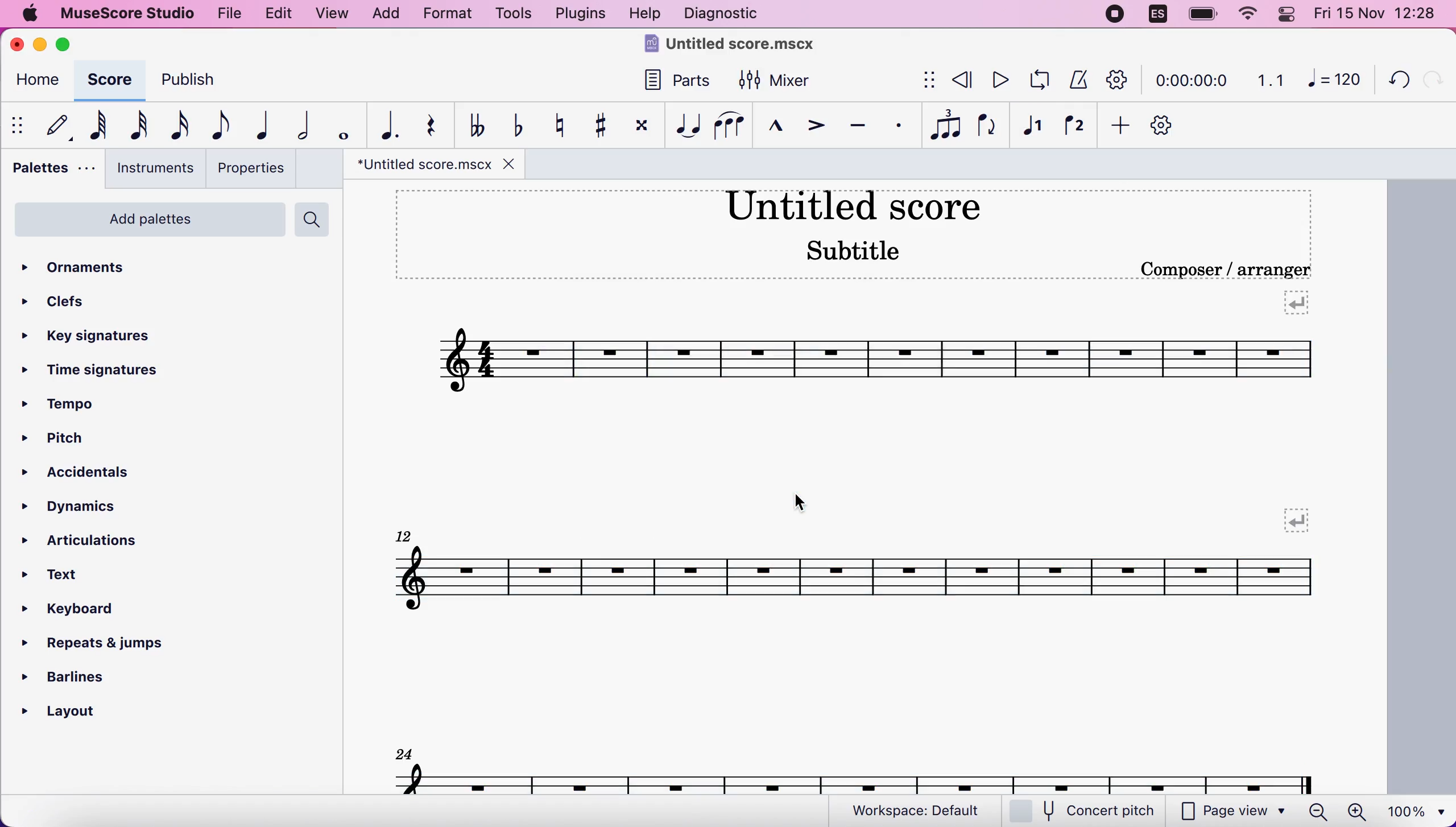 Image resolution: width=1456 pixels, height=827 pixels. What do you see at coordinates (1076, 127) in the screenshot?
I see `voice 2` at bounding box center [1076, 127].